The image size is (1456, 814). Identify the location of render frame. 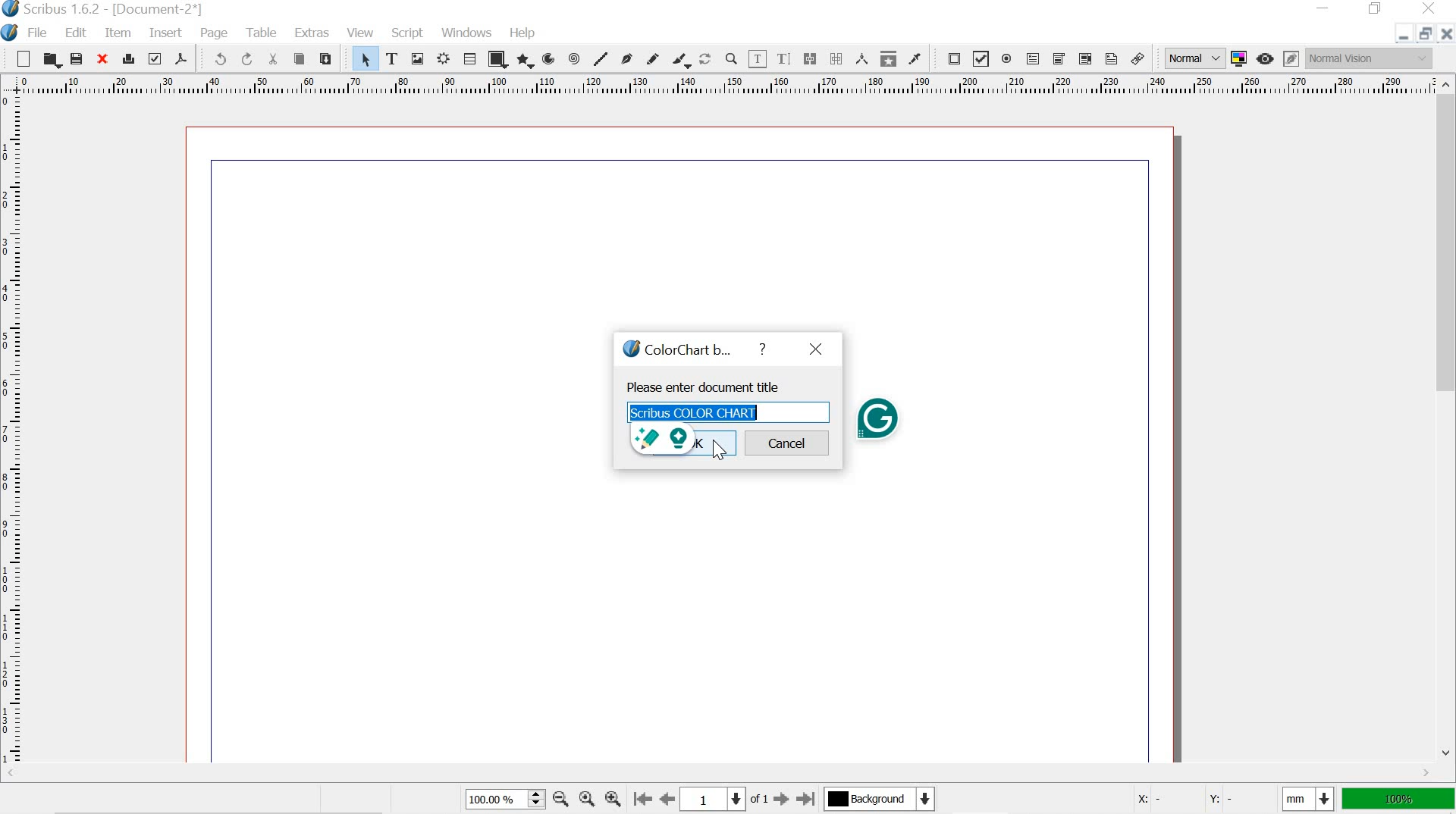
(445, 58).